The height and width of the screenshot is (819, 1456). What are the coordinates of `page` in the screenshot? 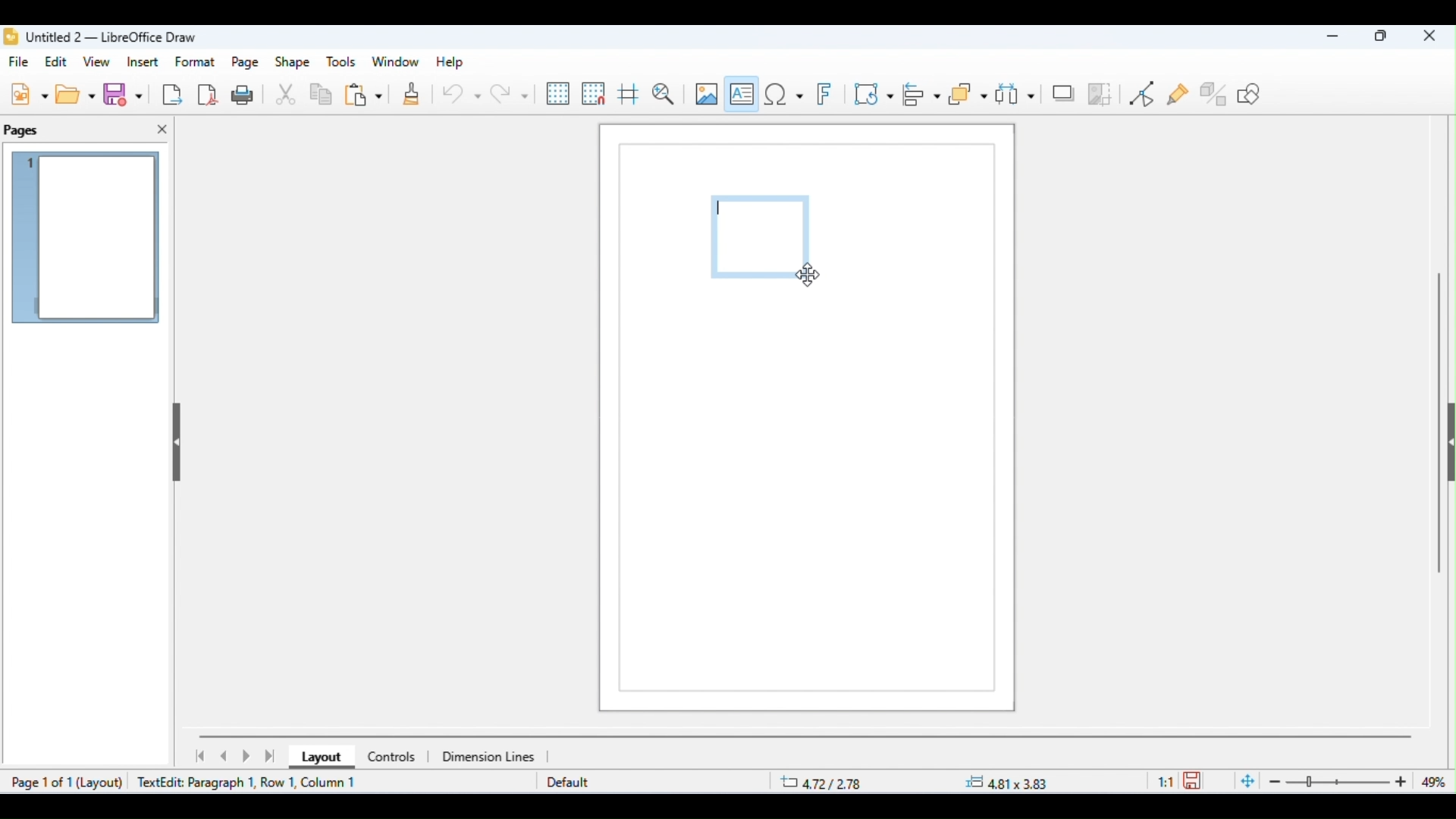 It's located at (246, 63).